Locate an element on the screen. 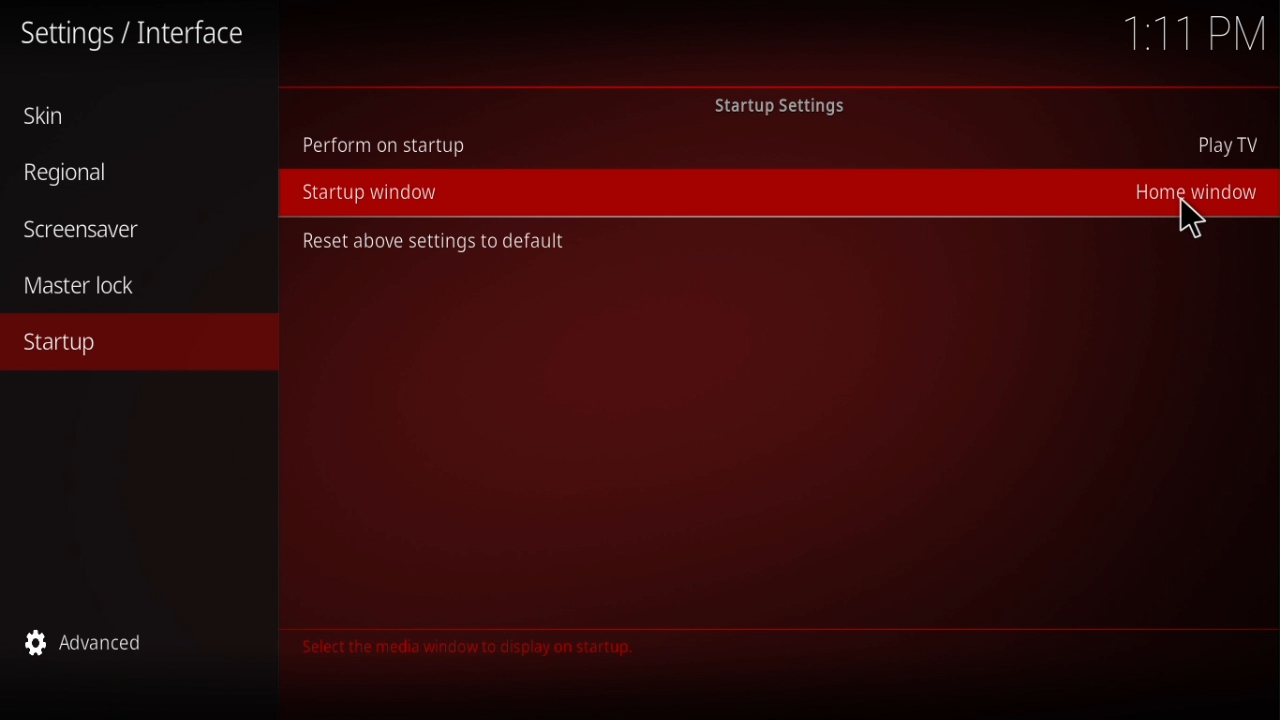 This screenshot has width=1280, height=720. startup is located at coordinates (64, 344).